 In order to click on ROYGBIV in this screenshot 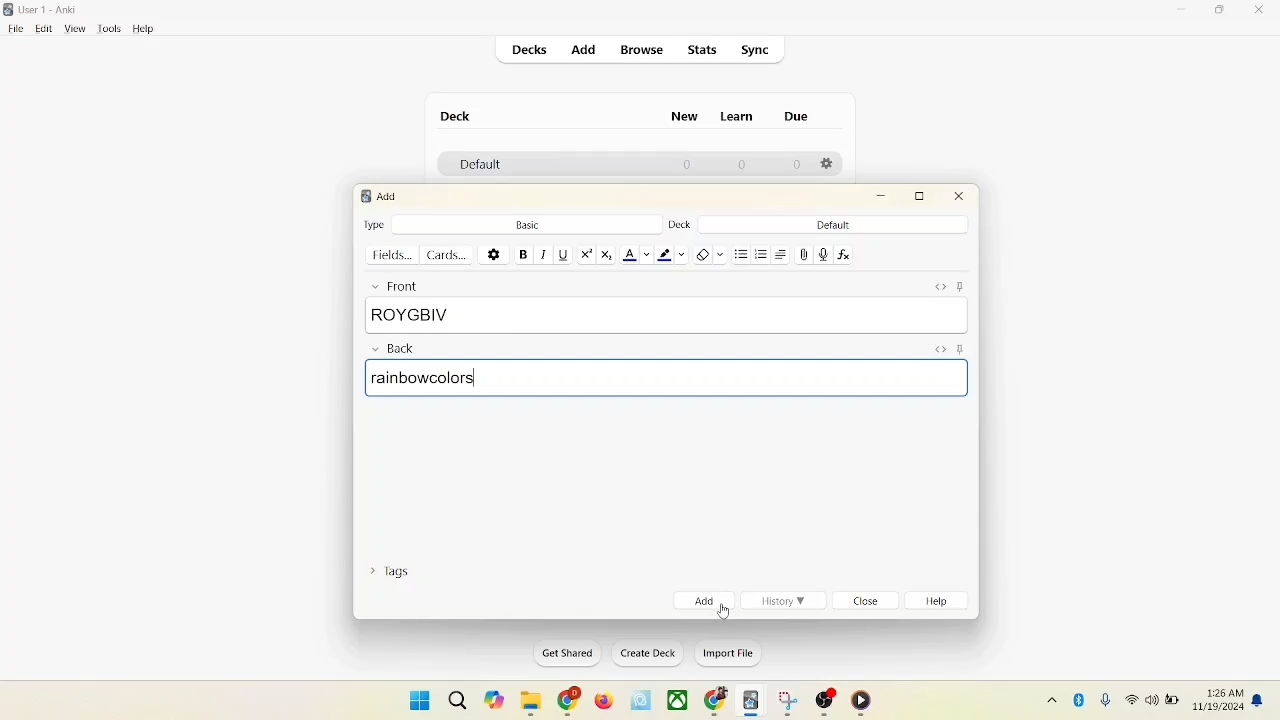, I will do `click(666, 316)`.